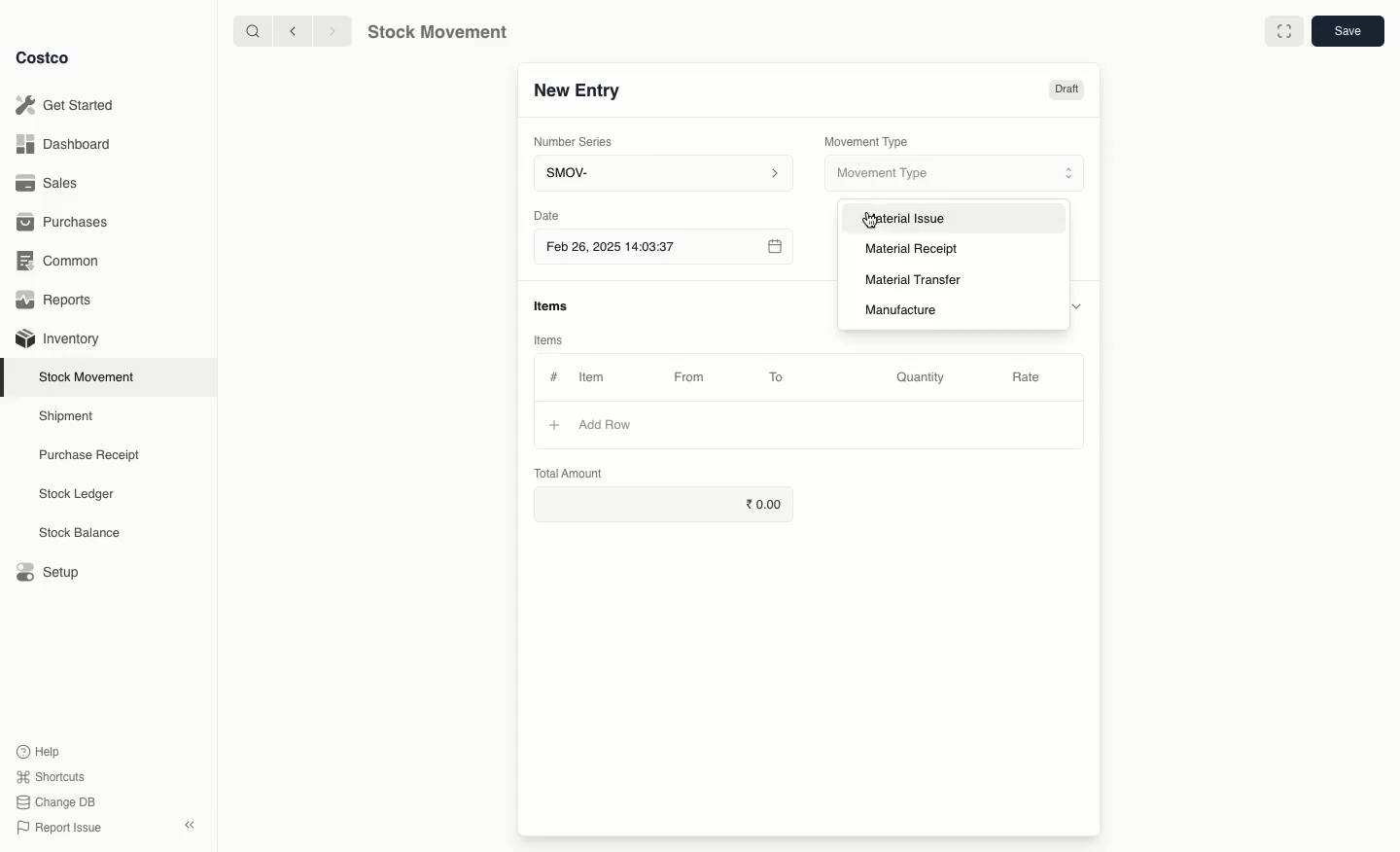 This screenshot has height=852, width=1400. Describe the element at coordinates (46, 570) in the screenshot. I see `Setup` at that location.